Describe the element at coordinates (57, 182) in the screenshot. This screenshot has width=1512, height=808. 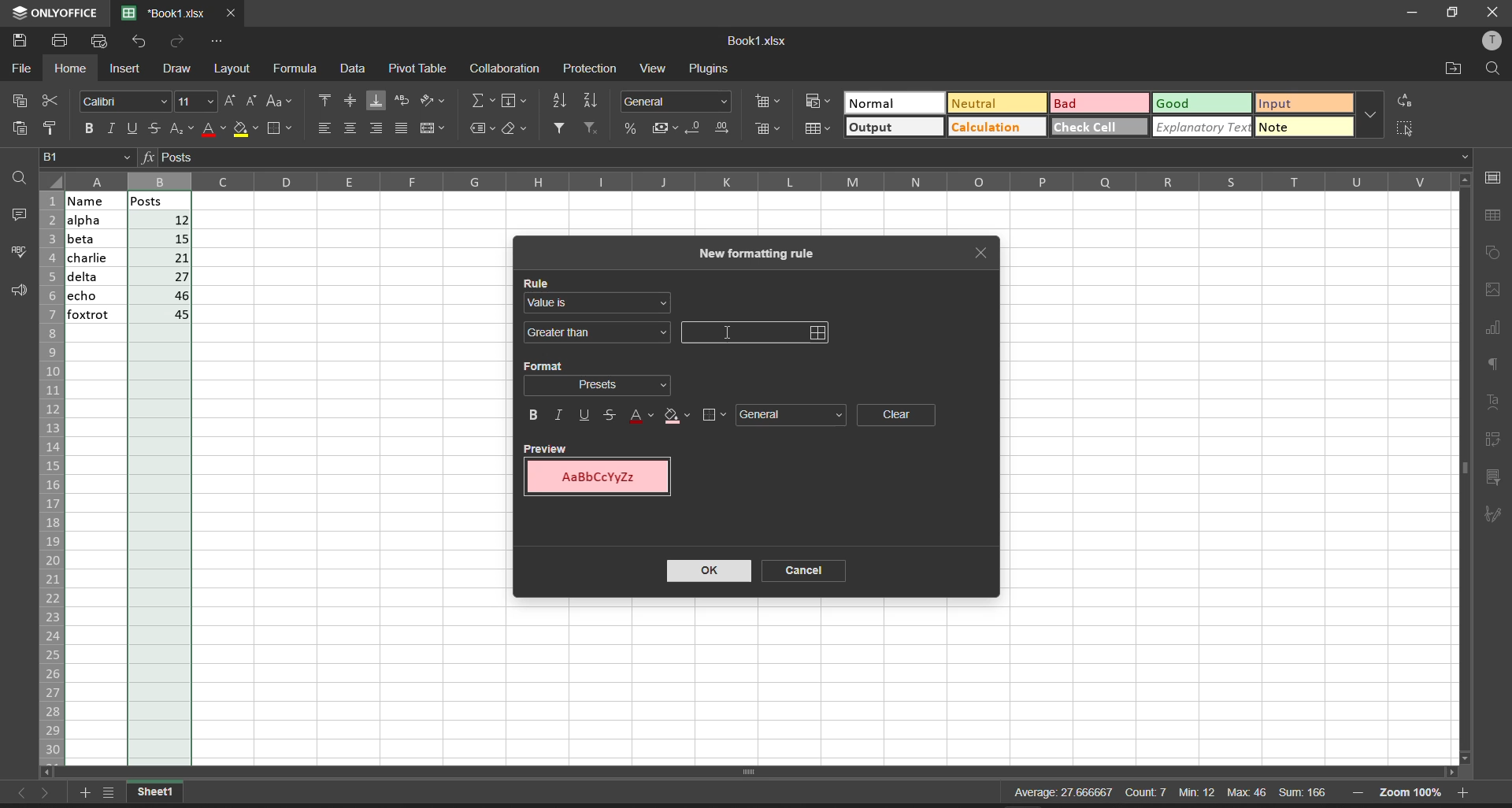
I see `select all` at that location.